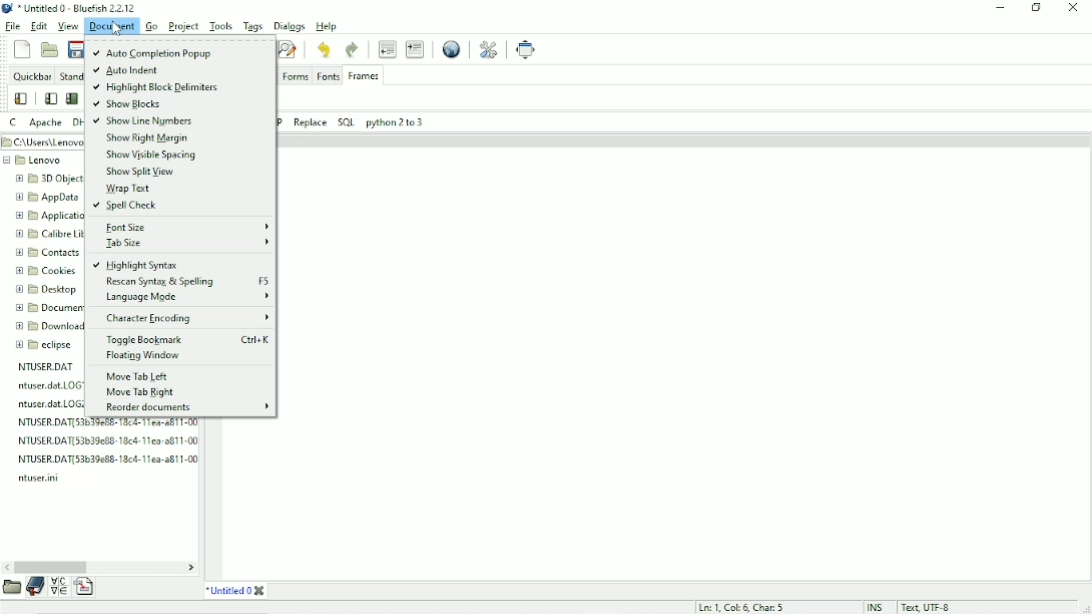  Describe the element at coordinates (21, 48) in the screenshot. I see `New file` at that location.